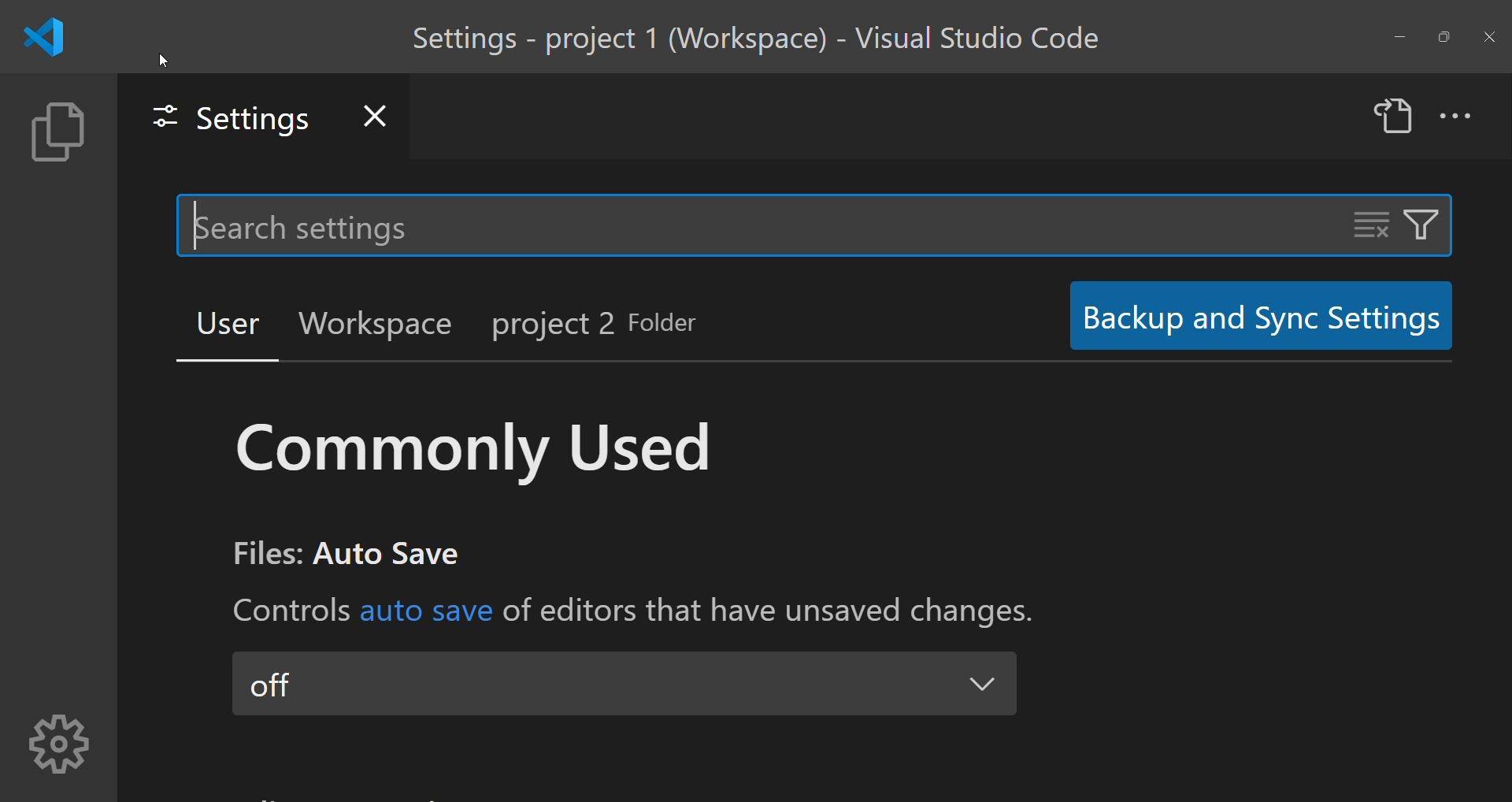 This screenshot has height=802, width=1512. What do you see at coordinates (1464, 116) in the screenshot?
I see `more actions` at bounding box center [1464, 116].